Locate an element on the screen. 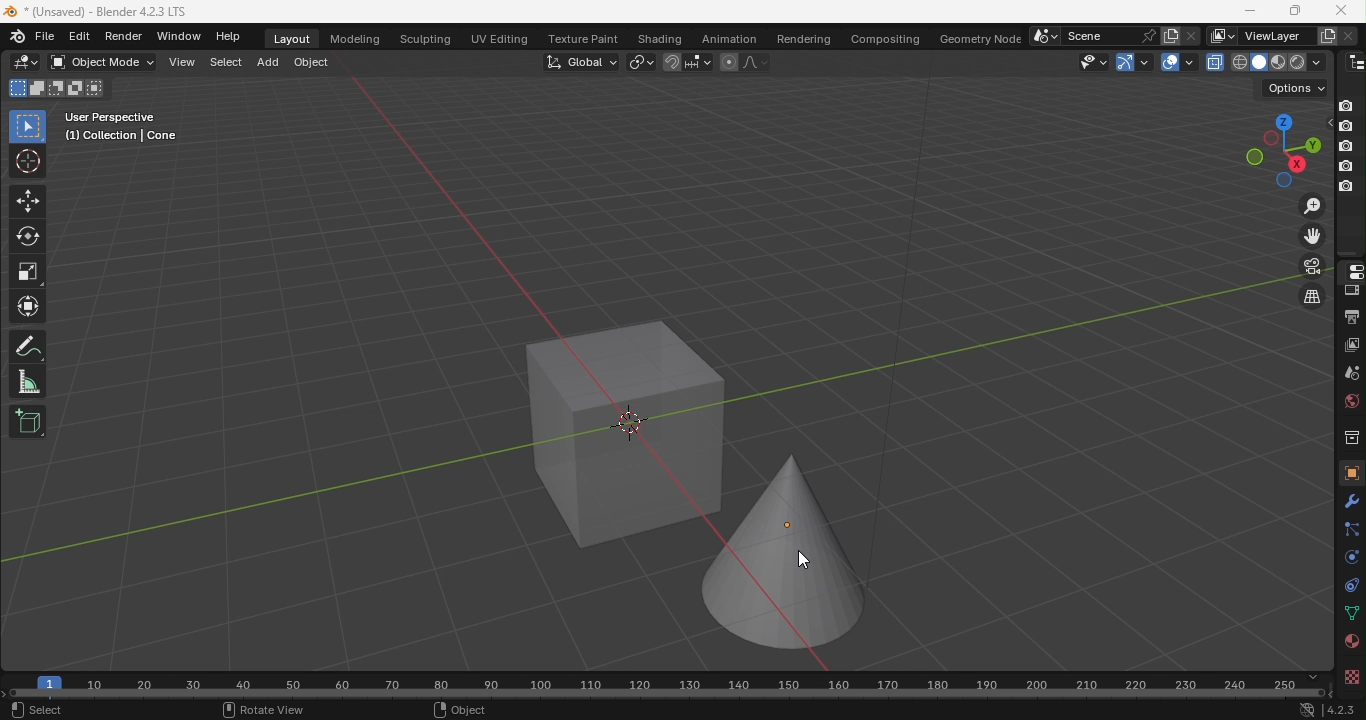 The height and width of the screenshot is (720, 1366). Collection is located at coordinates (1350, 436).